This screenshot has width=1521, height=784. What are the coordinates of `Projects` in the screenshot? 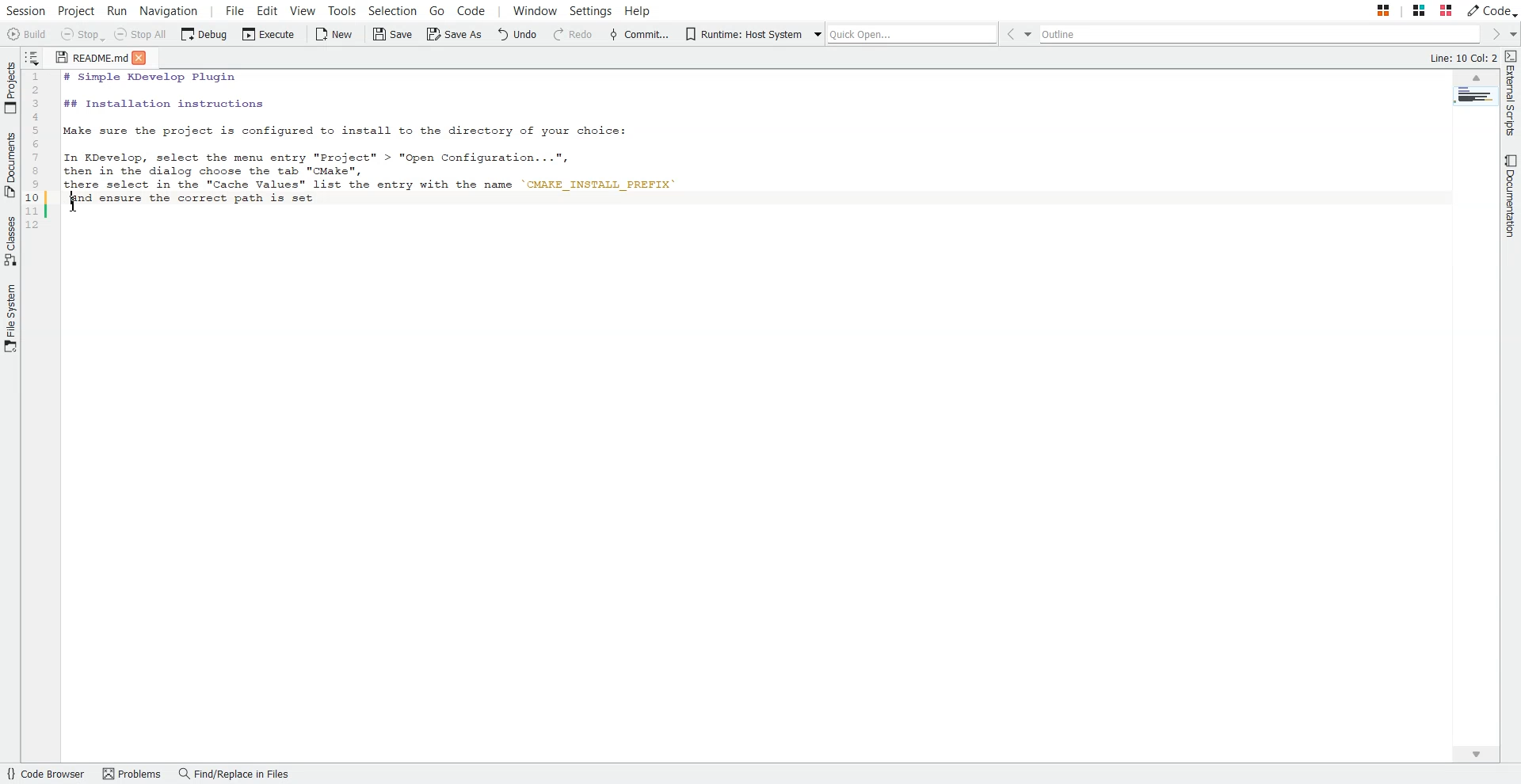 It's located at (10, 88).